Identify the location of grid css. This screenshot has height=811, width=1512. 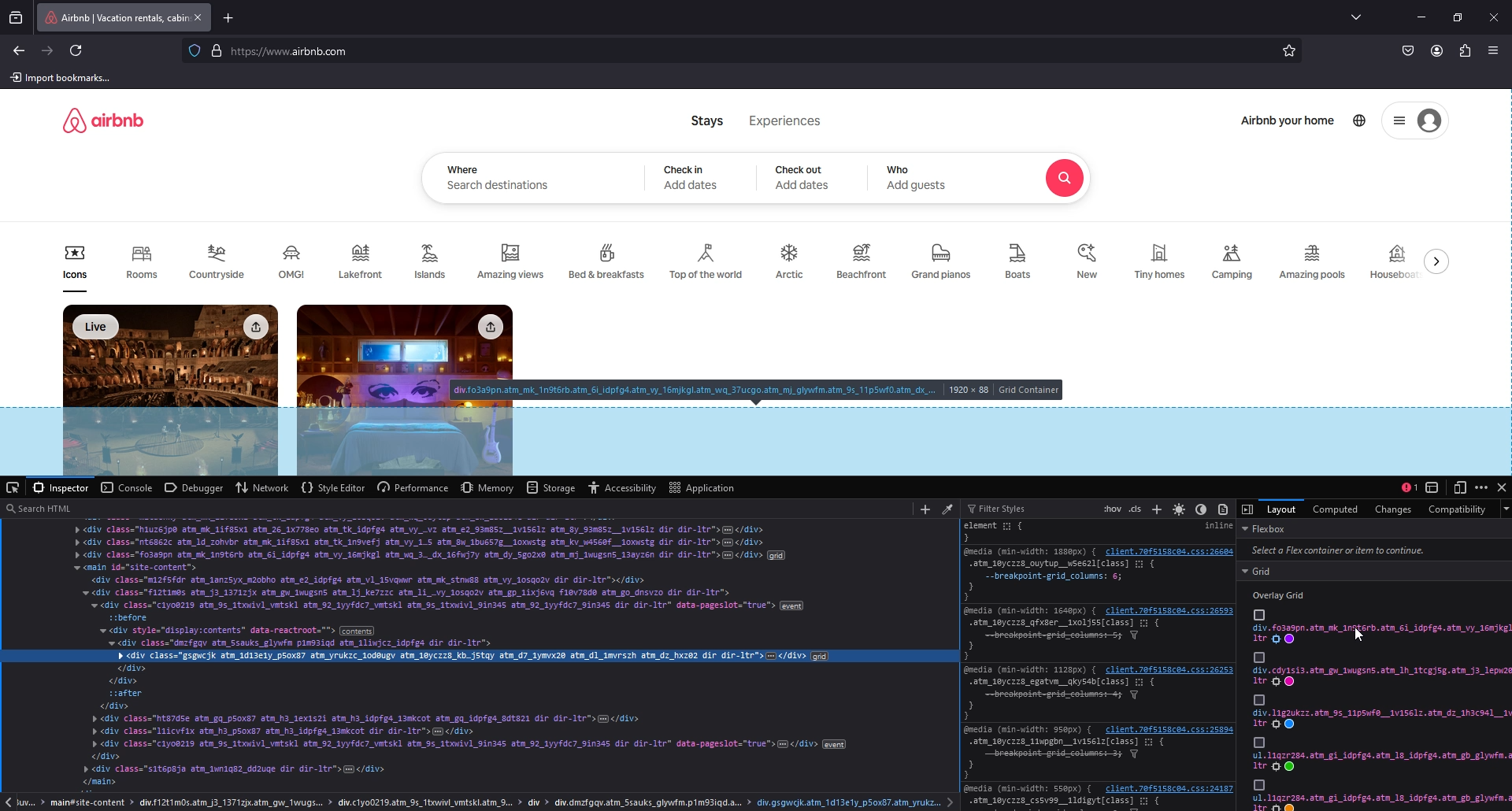
(1381, 676).